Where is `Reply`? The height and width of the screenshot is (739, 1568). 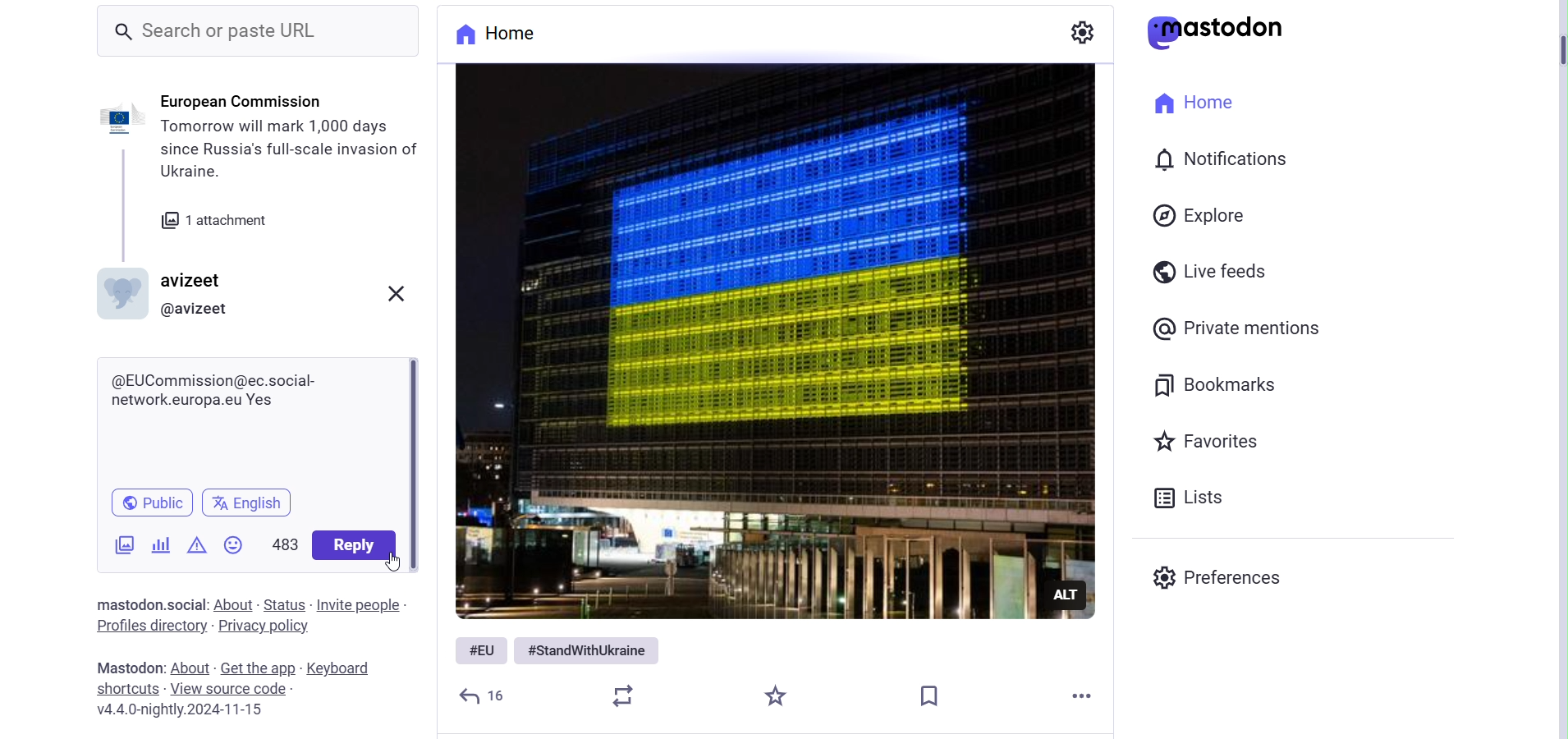 Reply is located at coordinates (485, 695).